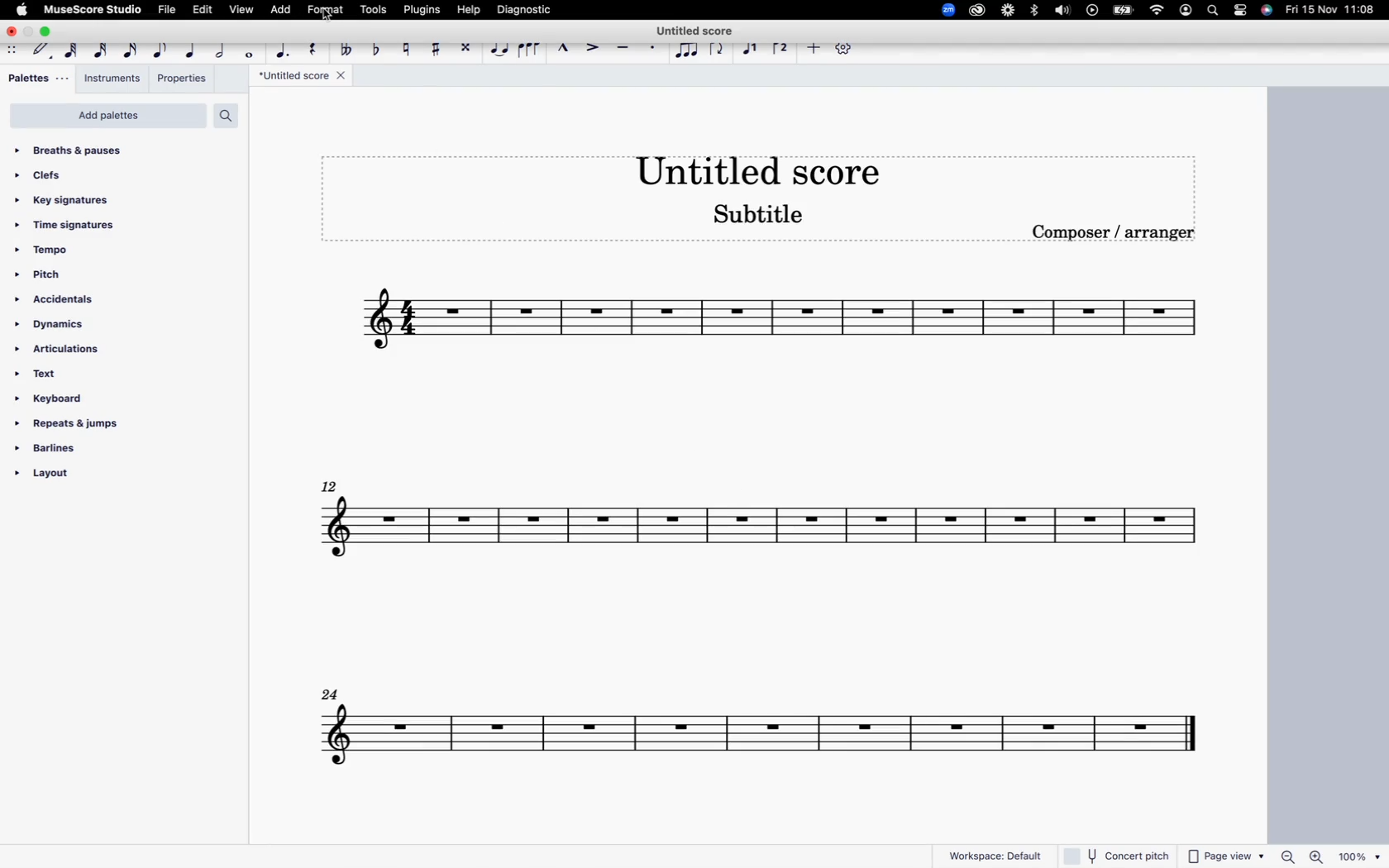 Image resolution: width=1389 pixels, height=868 pixels. What do you see at coordinates (465, 49) in the screenshot?
I see `toggle double sharp` at bounding box center [465, 49].